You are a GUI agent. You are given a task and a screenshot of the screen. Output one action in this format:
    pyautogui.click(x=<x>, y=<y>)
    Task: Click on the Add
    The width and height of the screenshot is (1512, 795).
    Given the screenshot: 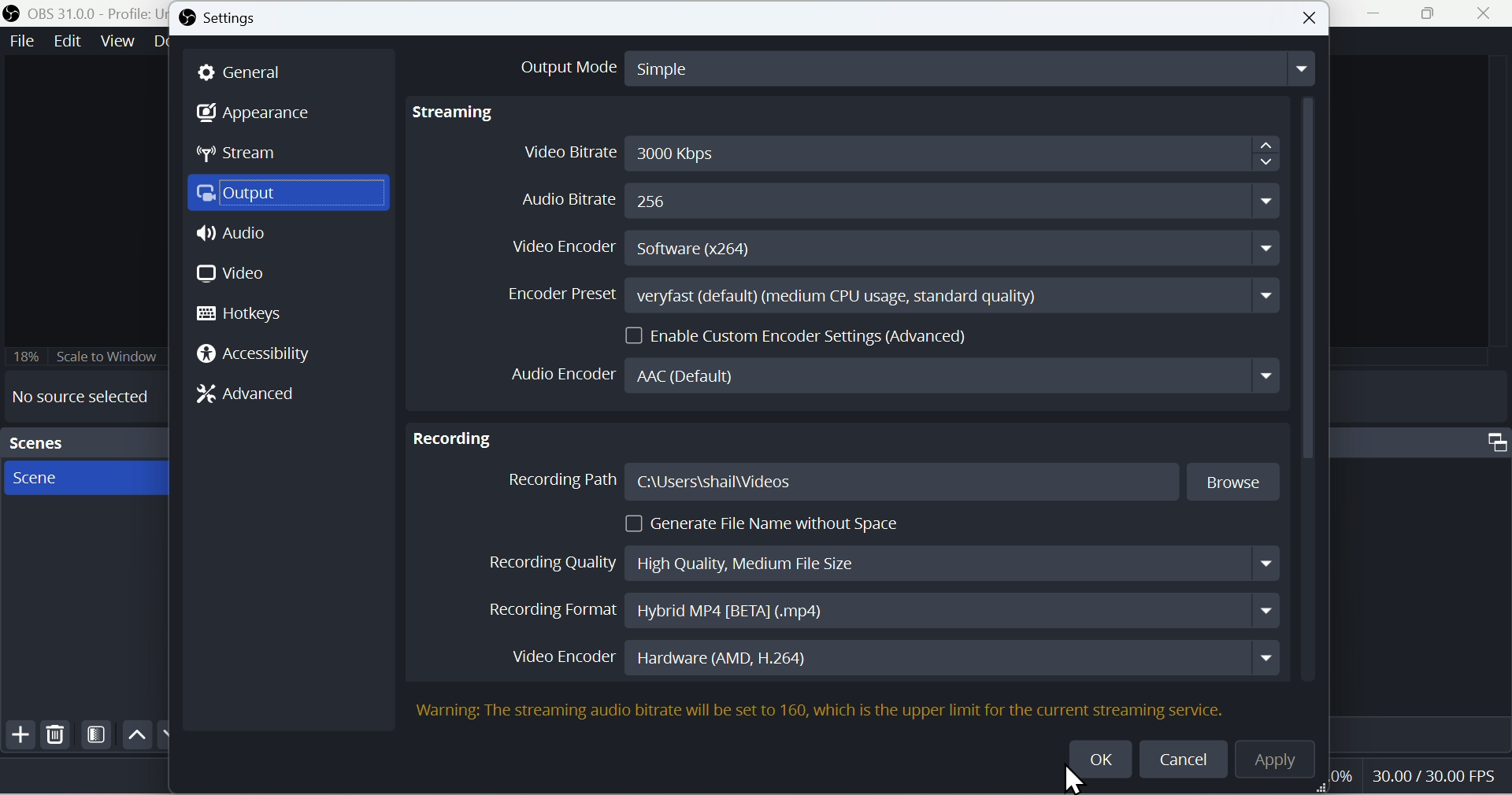 What is the action you would take?
    pyautogui.click(x=18, y=738)
    